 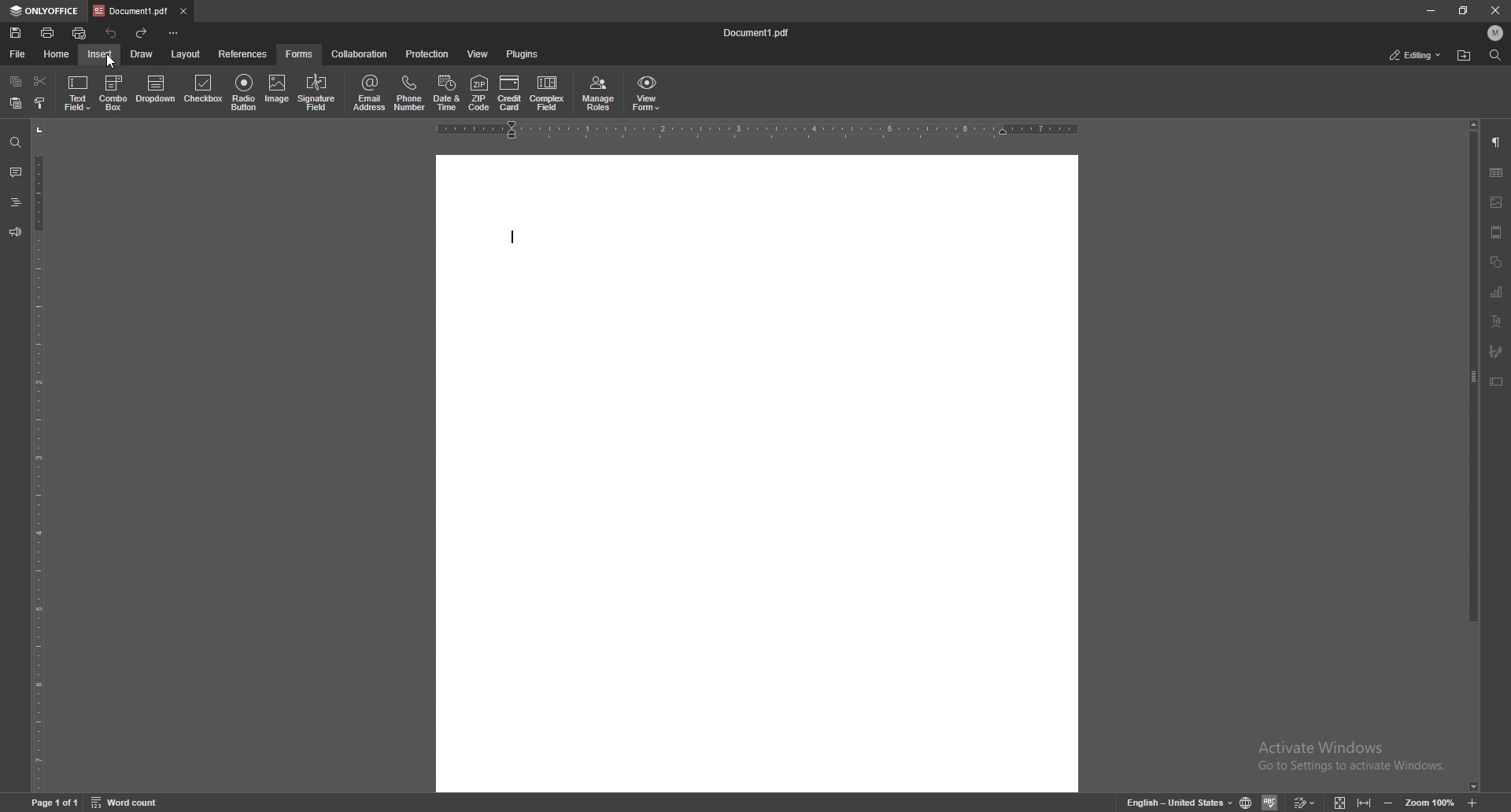 I want to click on complex field, so click(x=548, y=93).